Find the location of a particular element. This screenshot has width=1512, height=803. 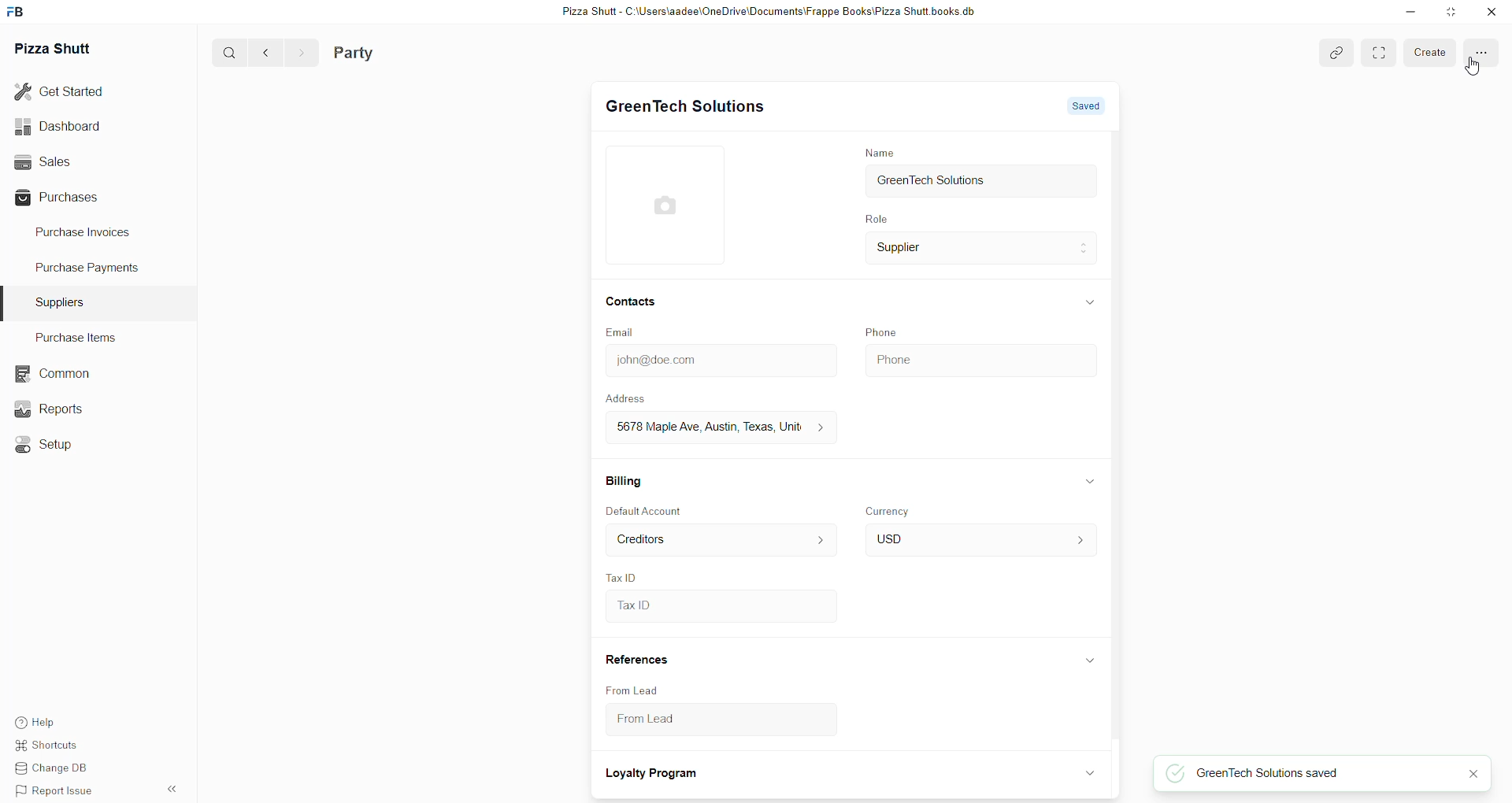

close is located at coordinates (1490, 12).